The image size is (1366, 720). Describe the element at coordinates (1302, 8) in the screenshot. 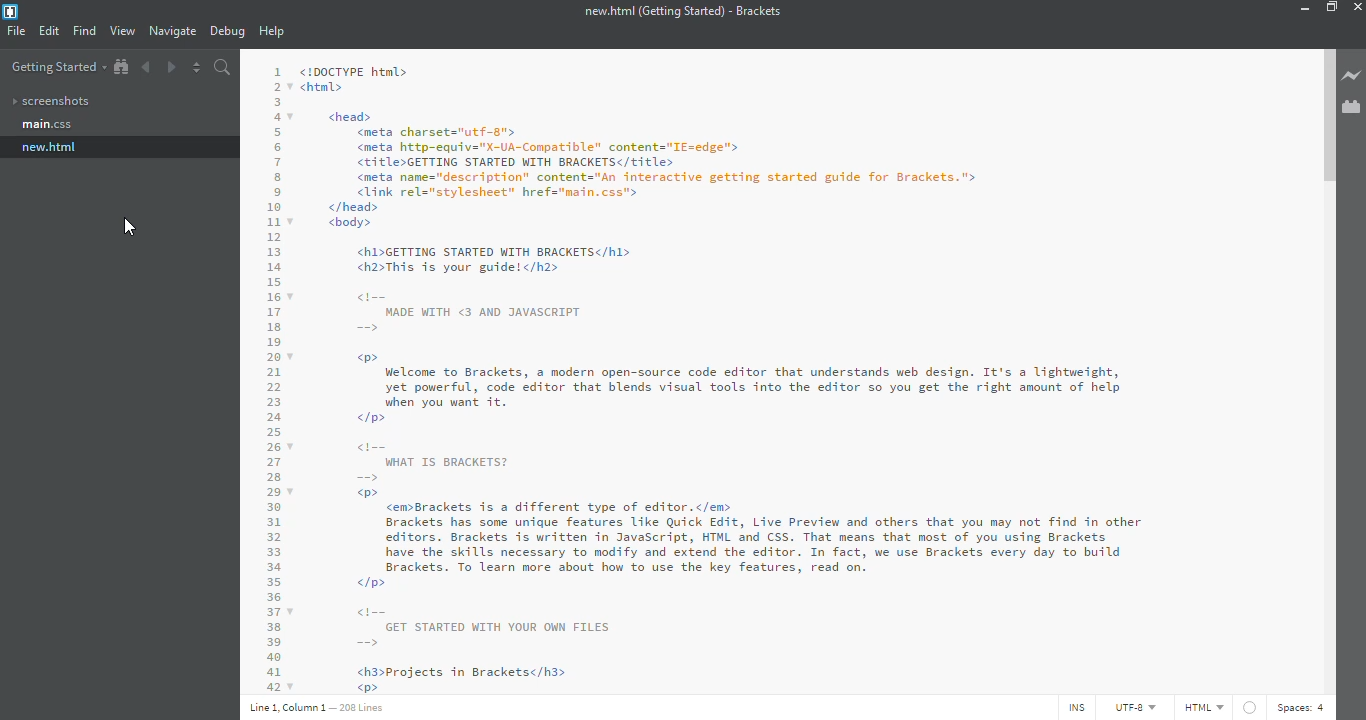

I see `minimize` at that location.